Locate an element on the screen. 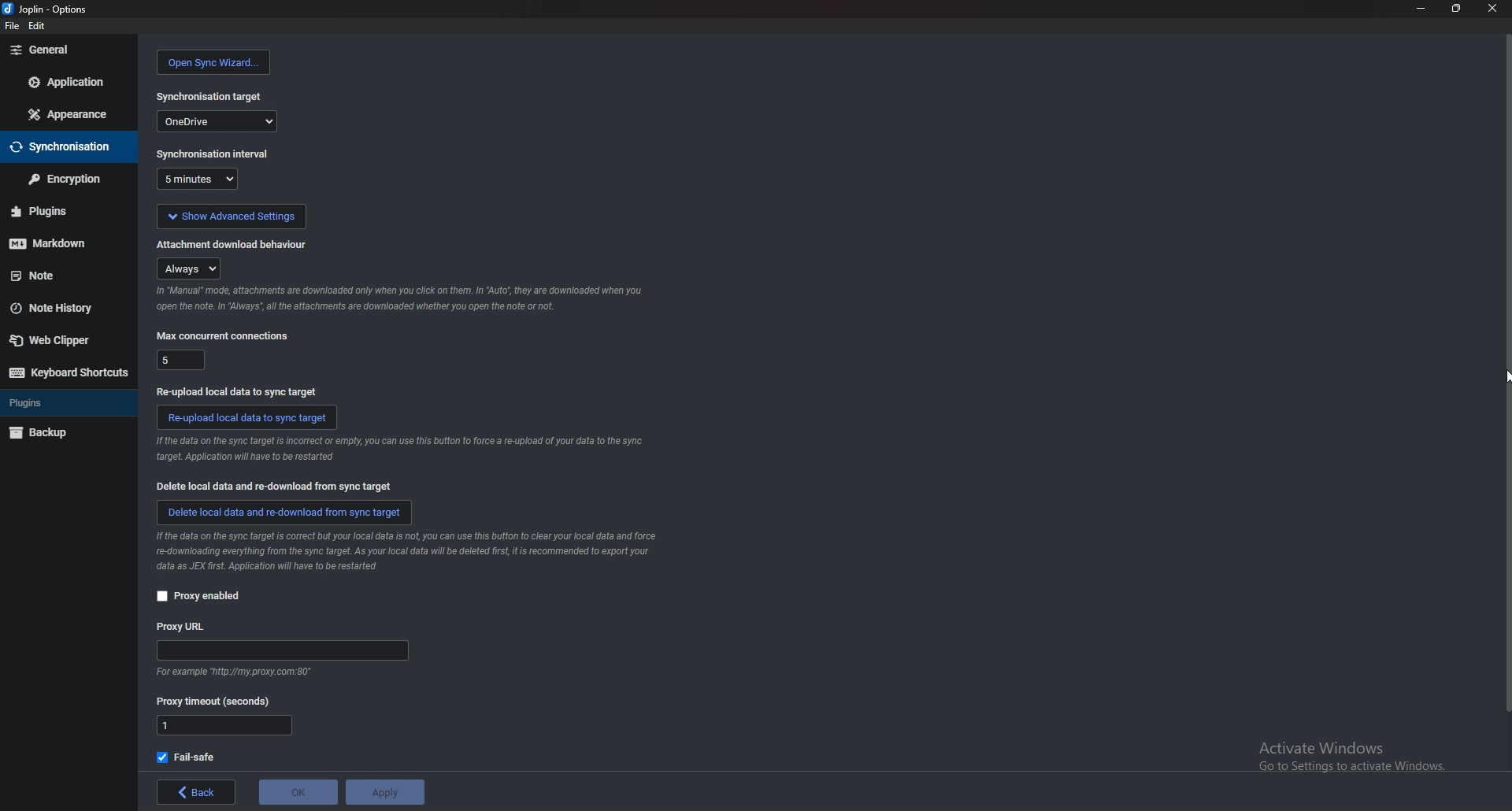 Image resolution: width=1512 pixels, height=811 pixels. scroll bar is located at coordinates (1506, 372).